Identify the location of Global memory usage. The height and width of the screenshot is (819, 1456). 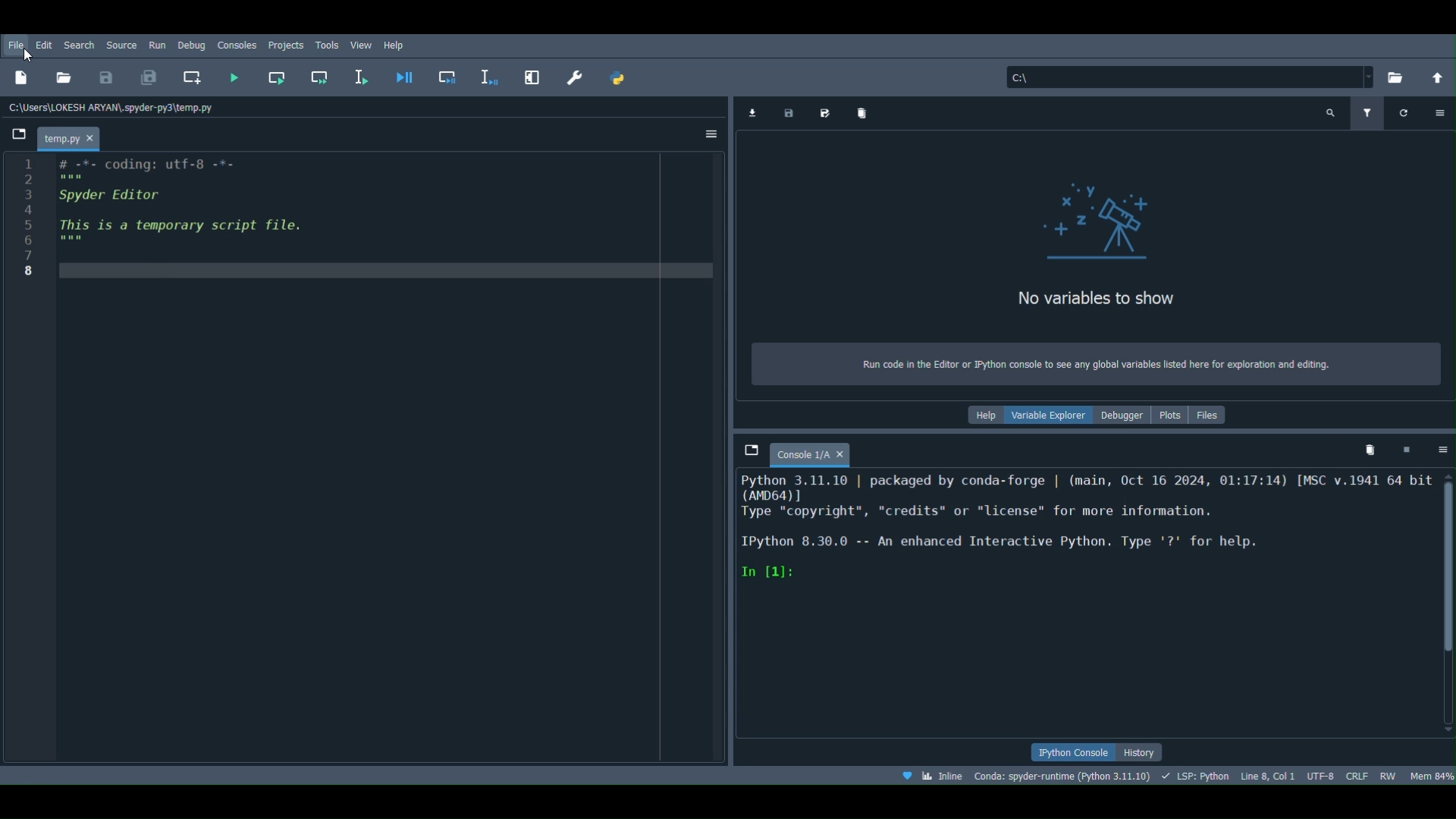
(1432, 775).